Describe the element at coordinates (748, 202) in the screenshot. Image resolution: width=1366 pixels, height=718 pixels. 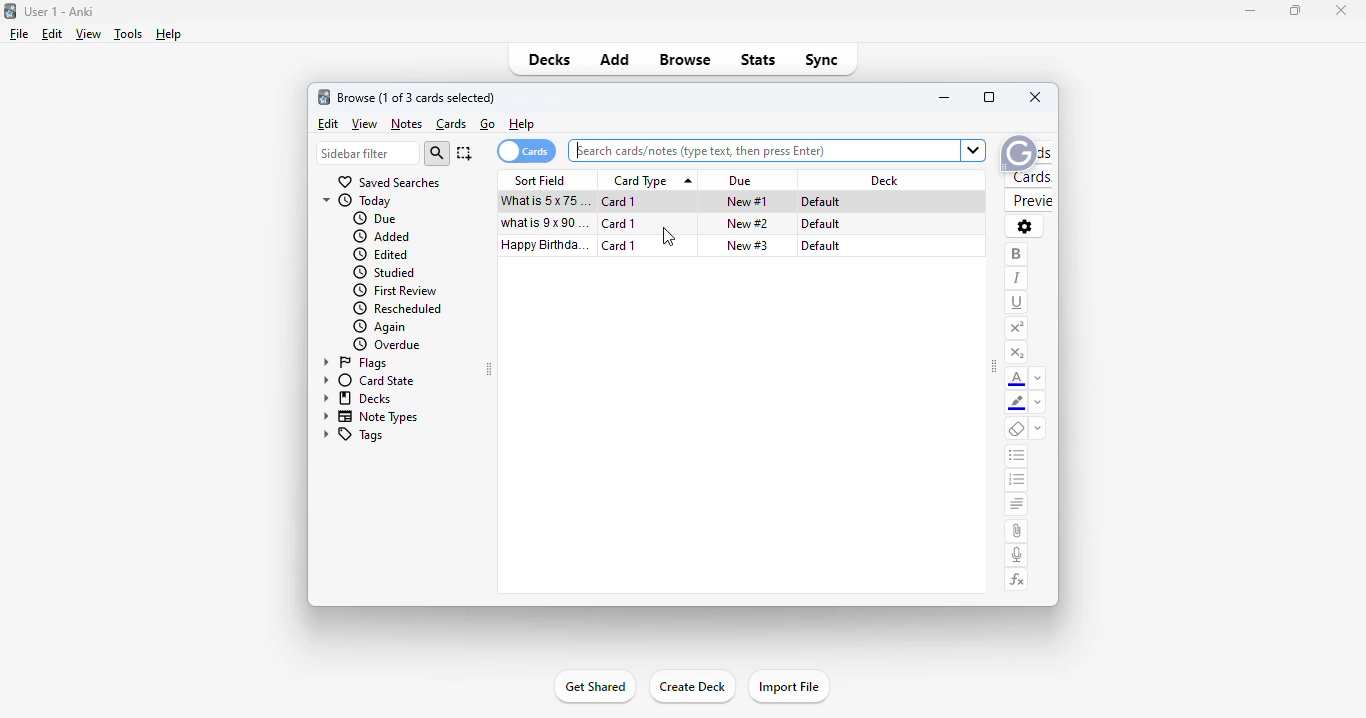
I see `new #1` at that location.